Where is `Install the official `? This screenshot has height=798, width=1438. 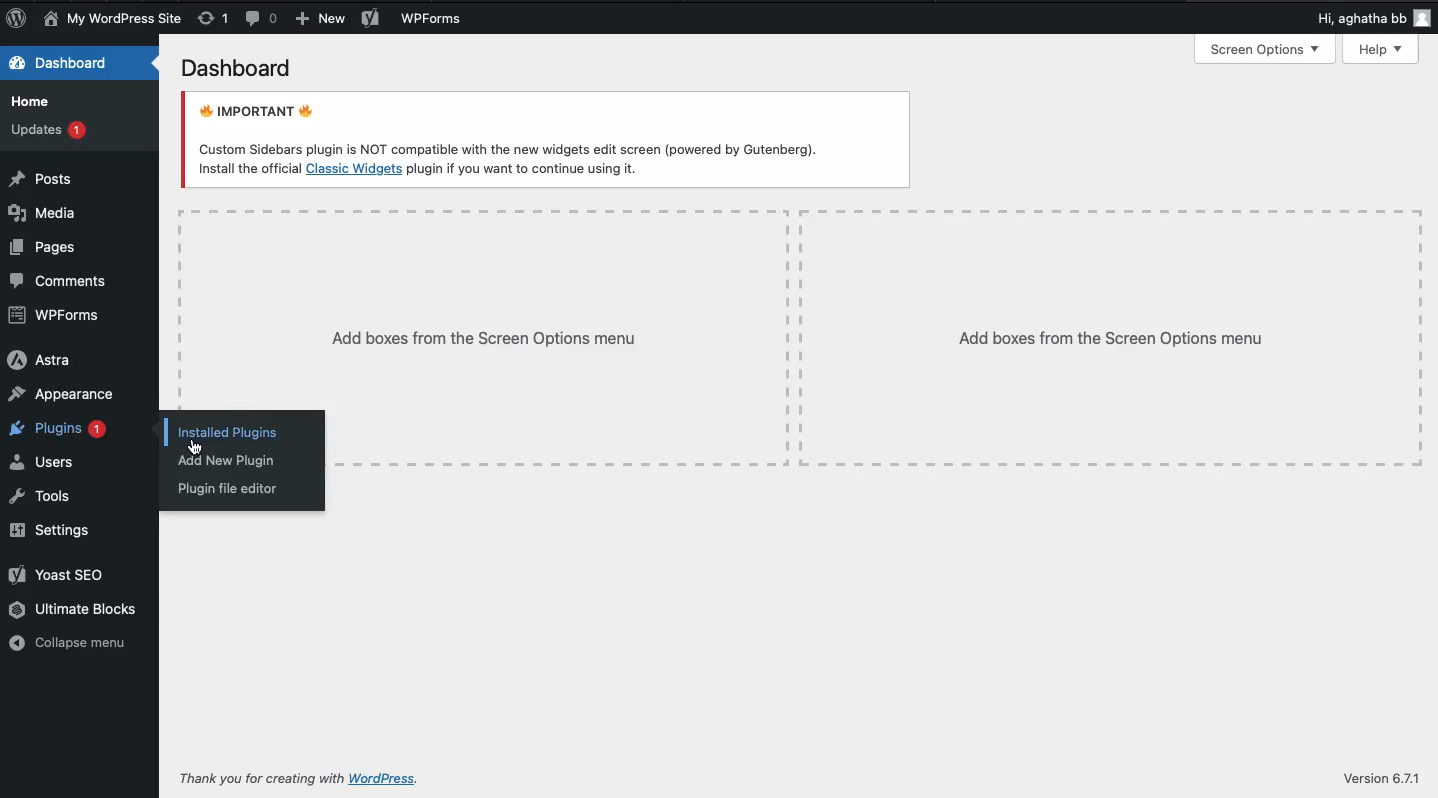
Install the official  is located at coordinates (247, 168).